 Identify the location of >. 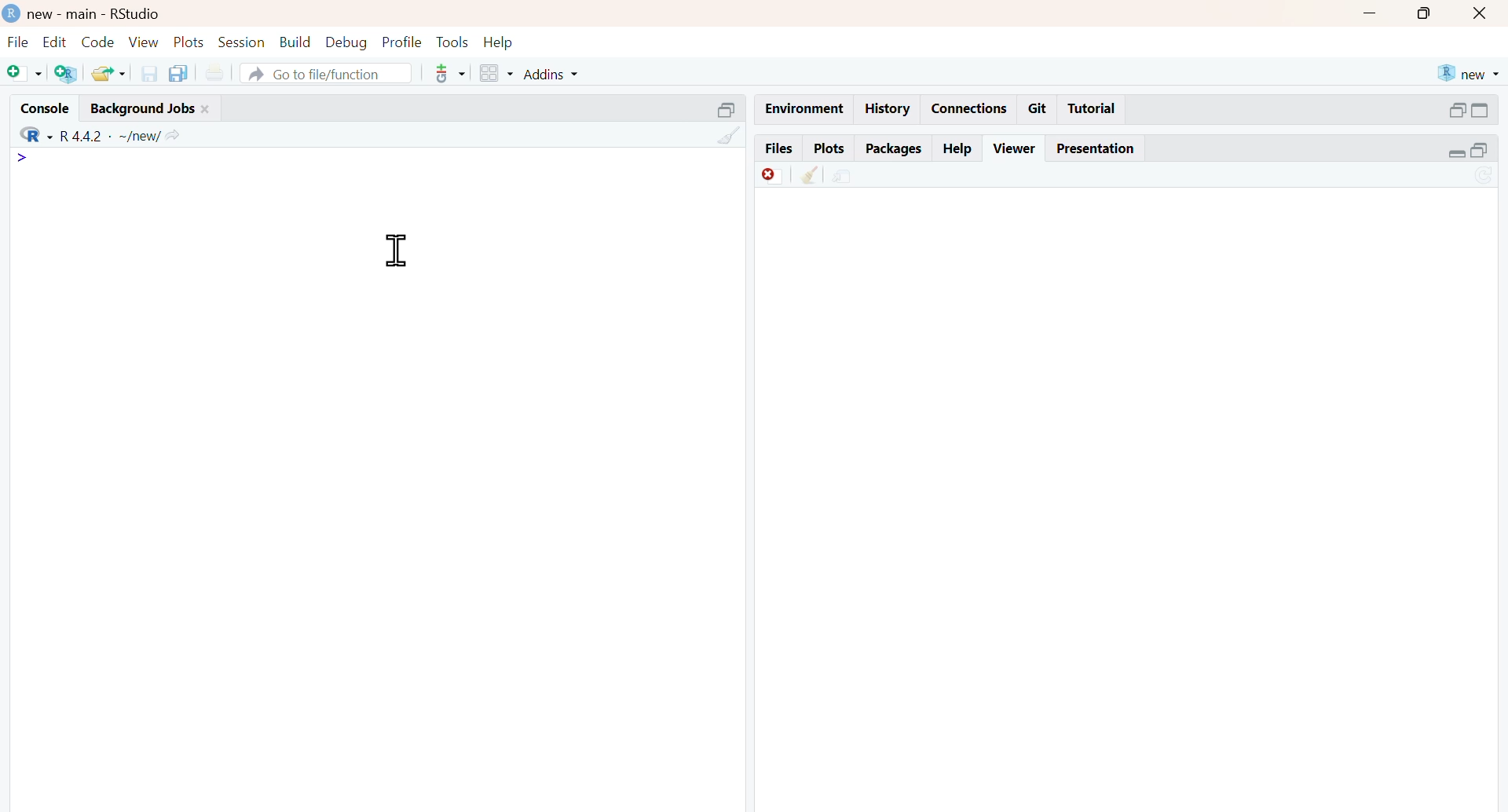
(22, 159).